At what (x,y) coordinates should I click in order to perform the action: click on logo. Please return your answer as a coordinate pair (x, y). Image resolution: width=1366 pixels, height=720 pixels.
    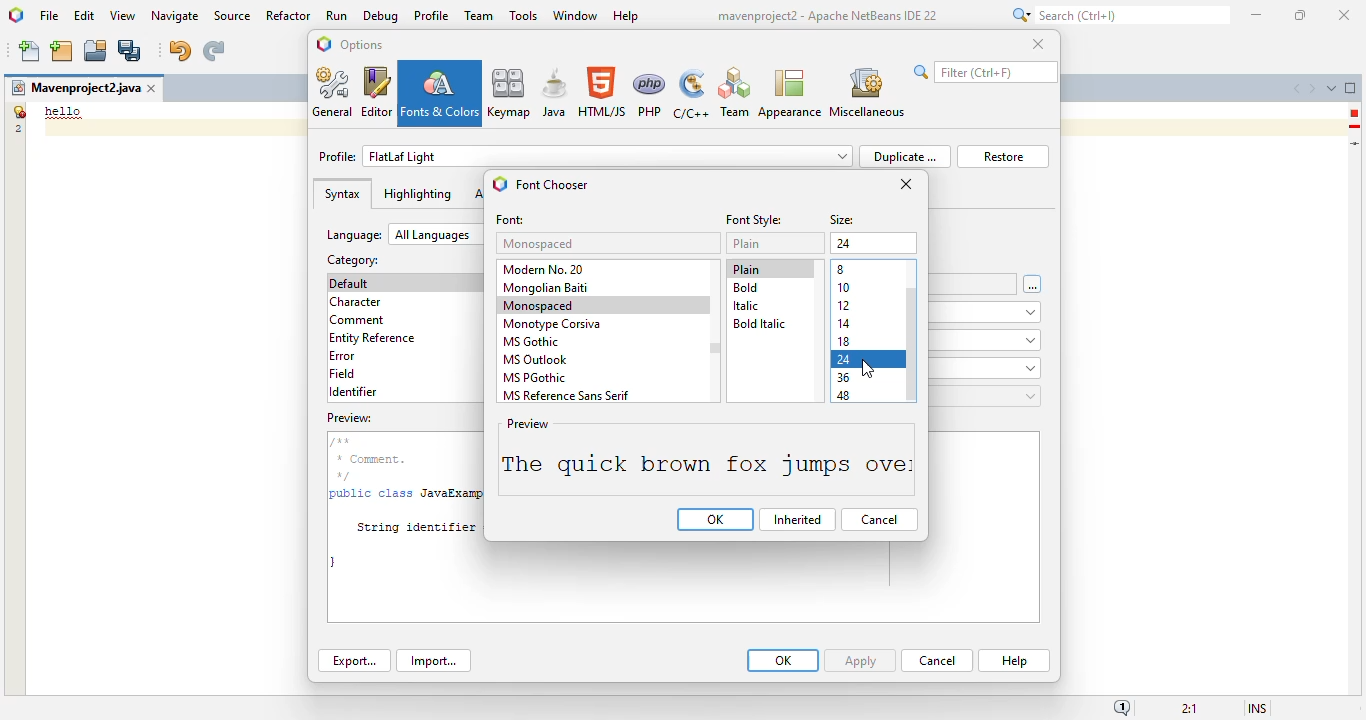
    Looking at the image, I should click on (17, 15).